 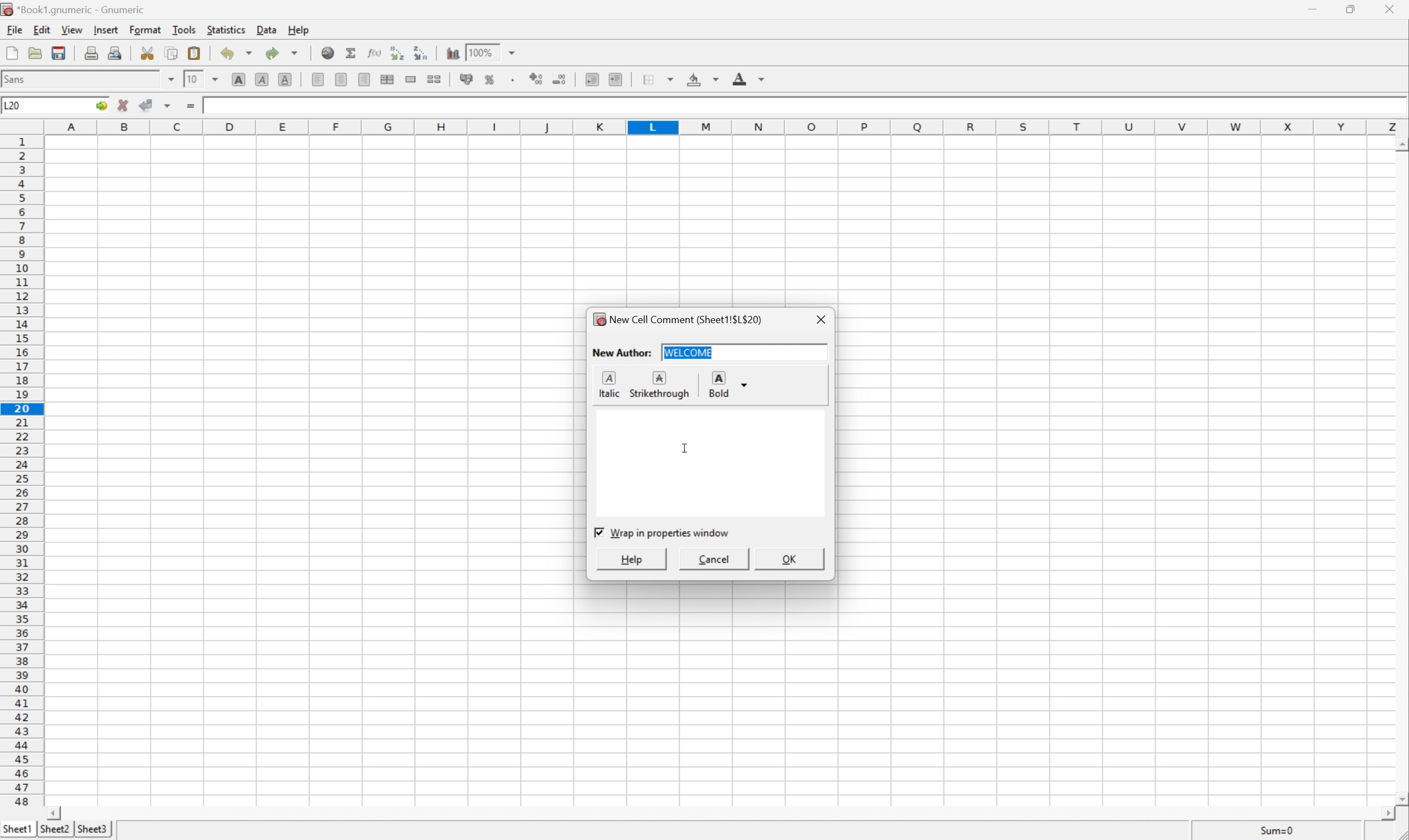 What do you see at coordinates (591, 79) in the screenshot?
I see `Decrease indent, and align the contents to the left` at bounding box center [591, 79].